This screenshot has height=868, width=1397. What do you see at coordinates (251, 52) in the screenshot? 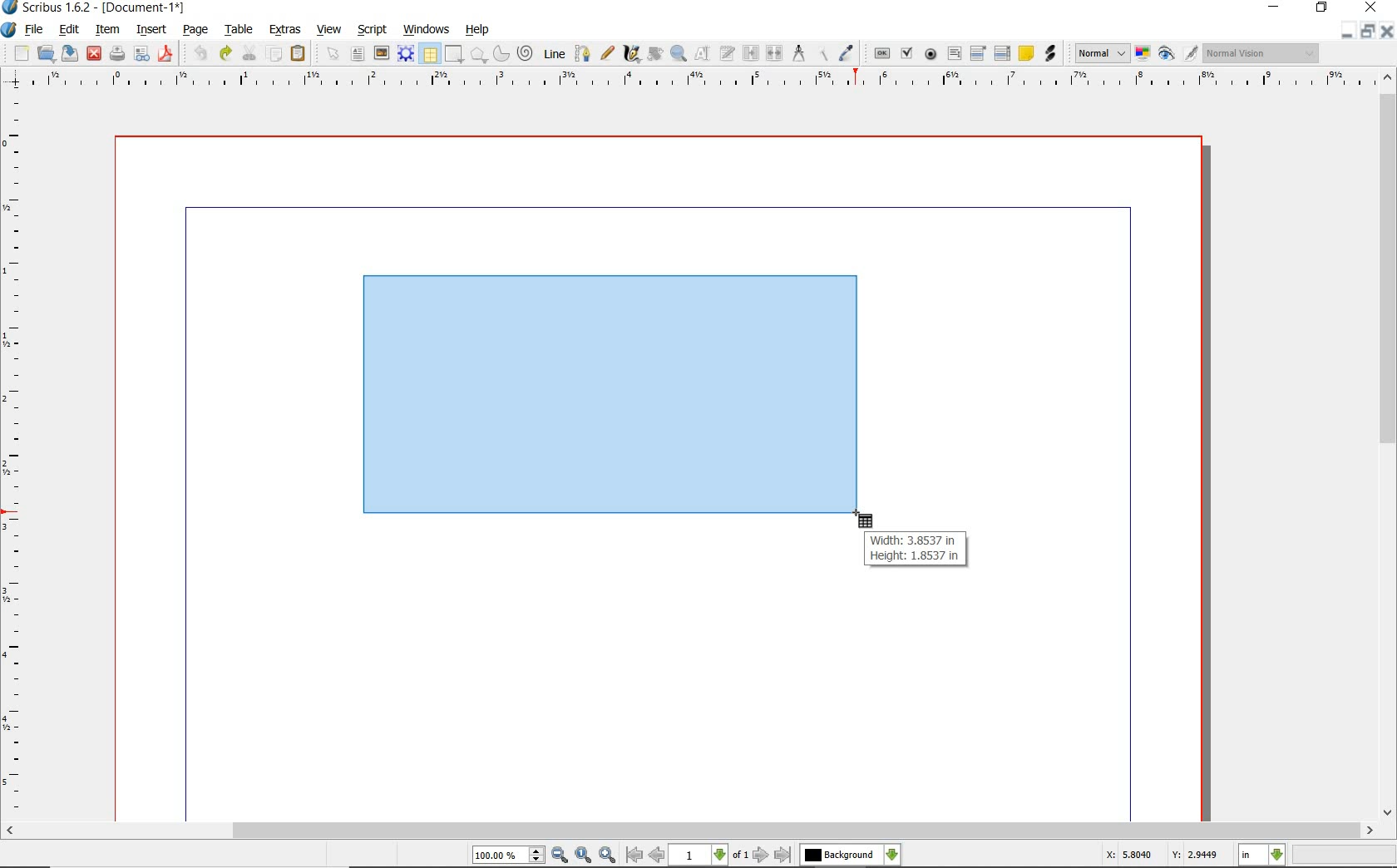
I see `cut` at bounding box center [251, 52].